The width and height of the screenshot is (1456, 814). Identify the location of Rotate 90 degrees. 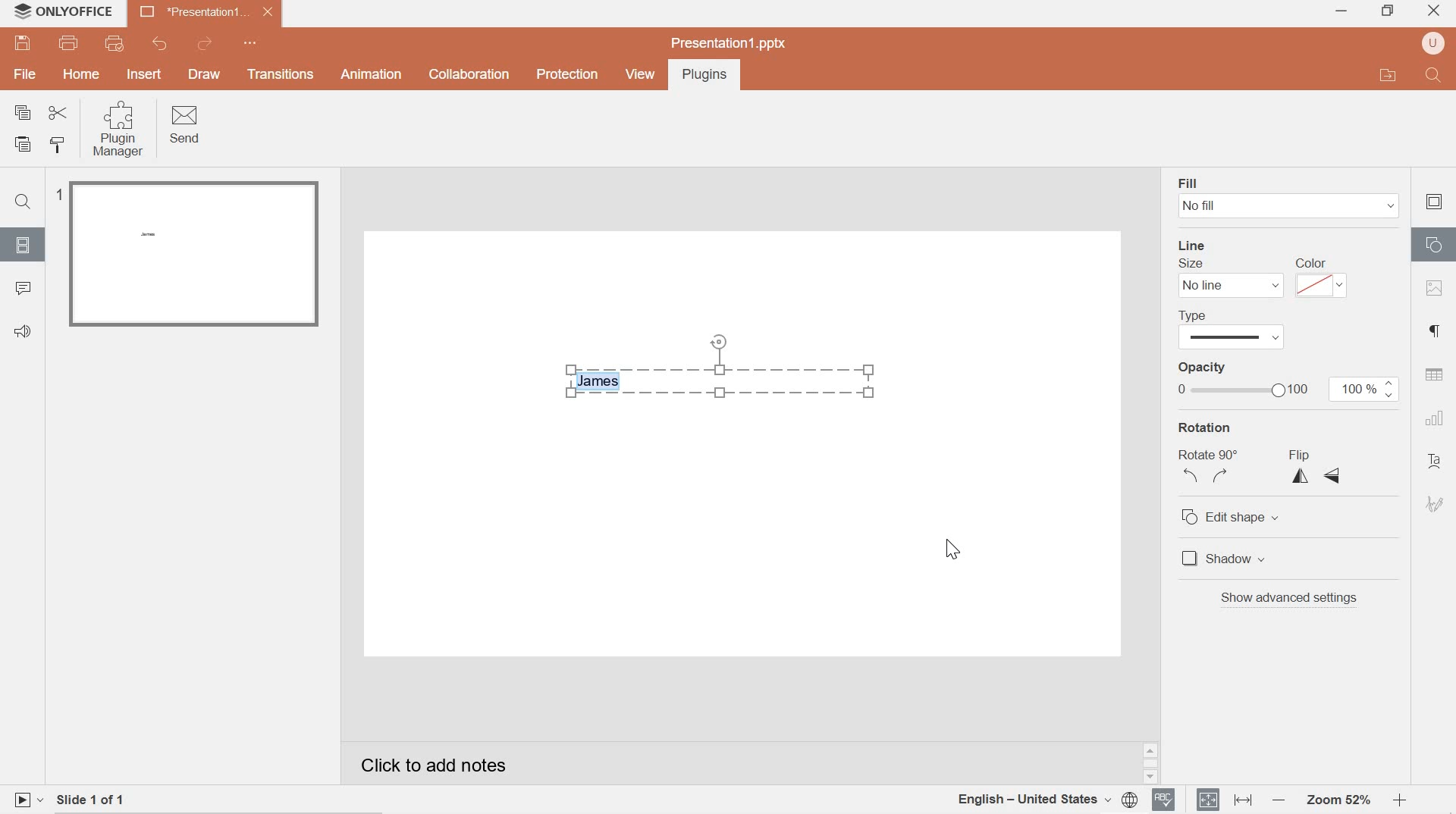
(1209, 471).